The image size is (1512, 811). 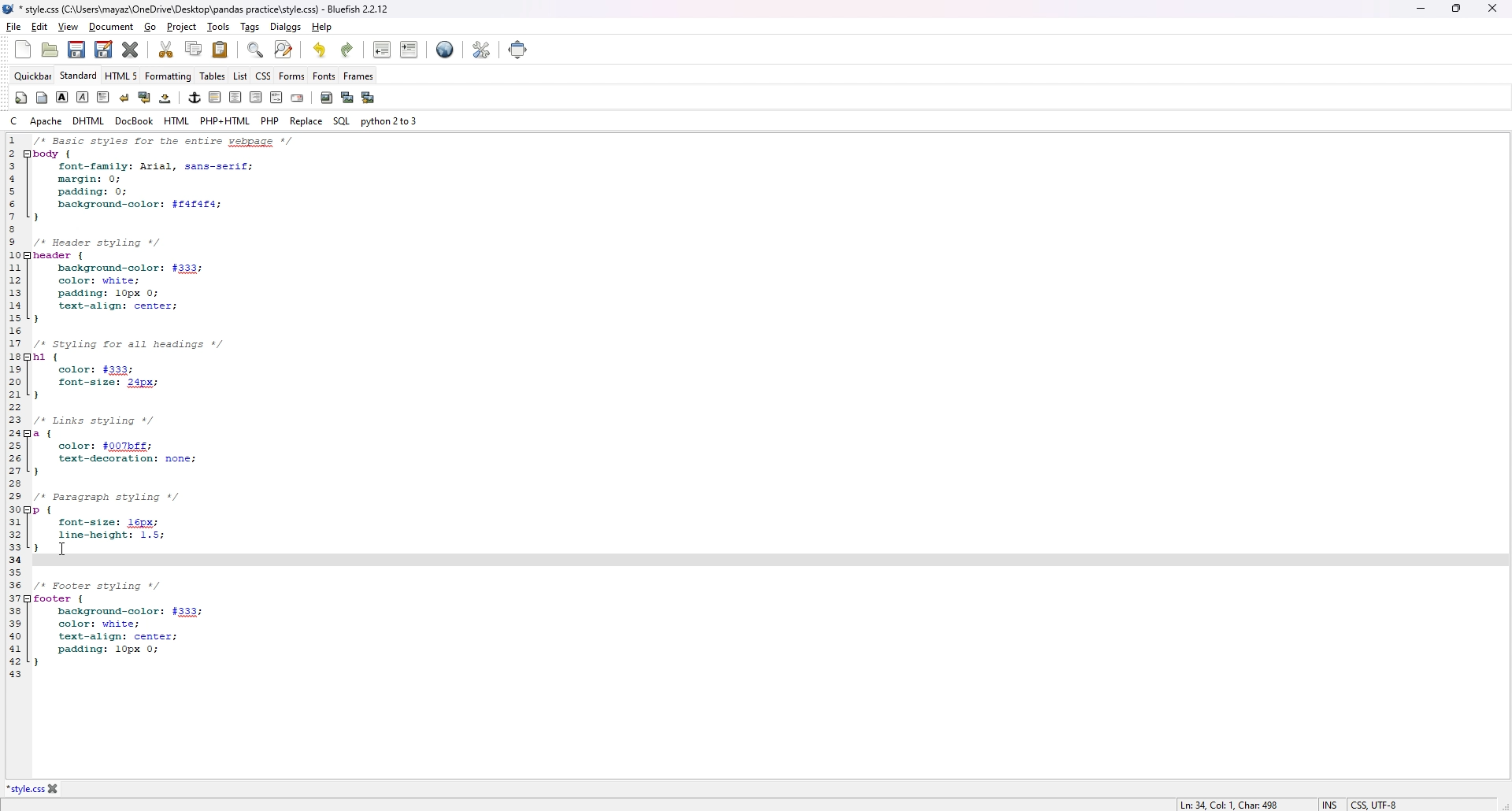 I want to click on center, so click(x=235, y=98).